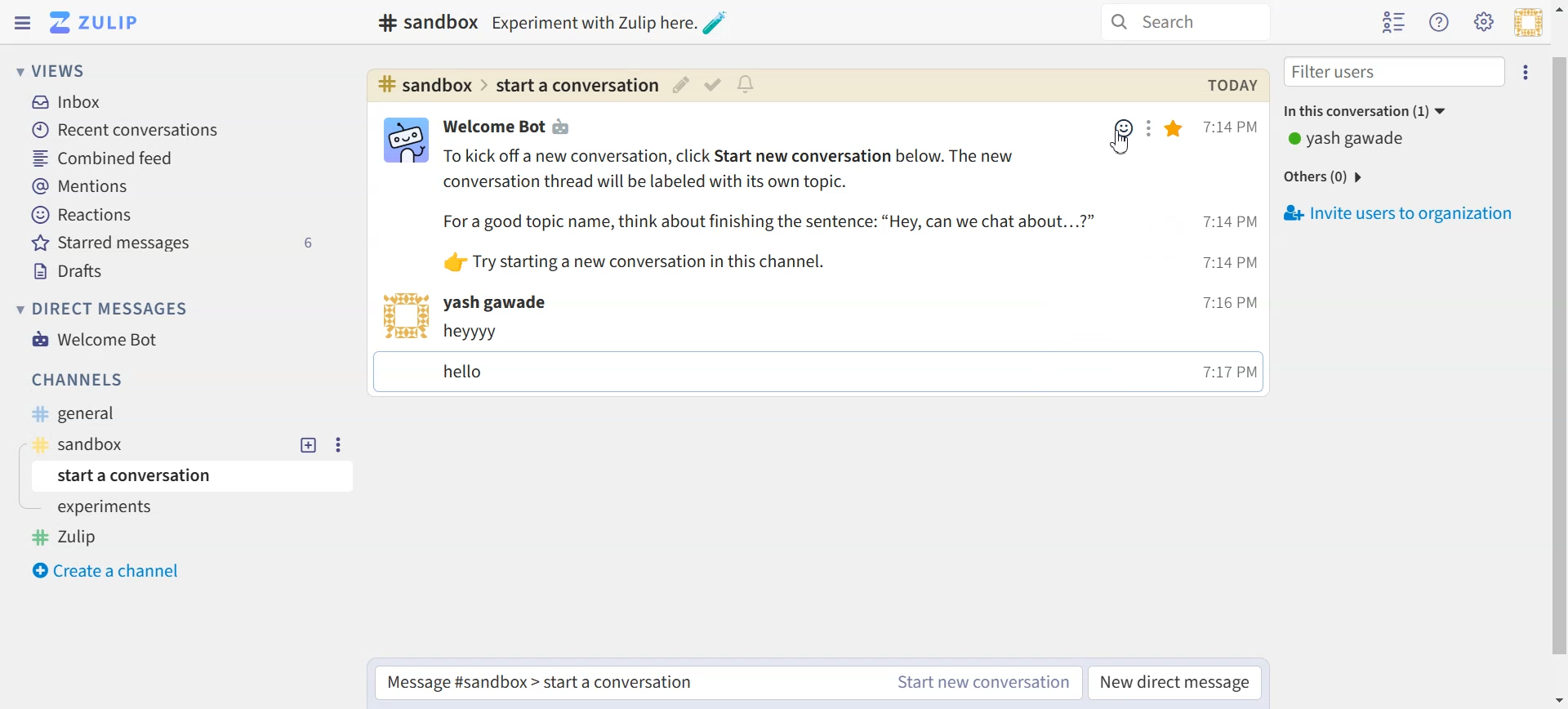  I want to click on Sandbox tag, so click(94, 444).